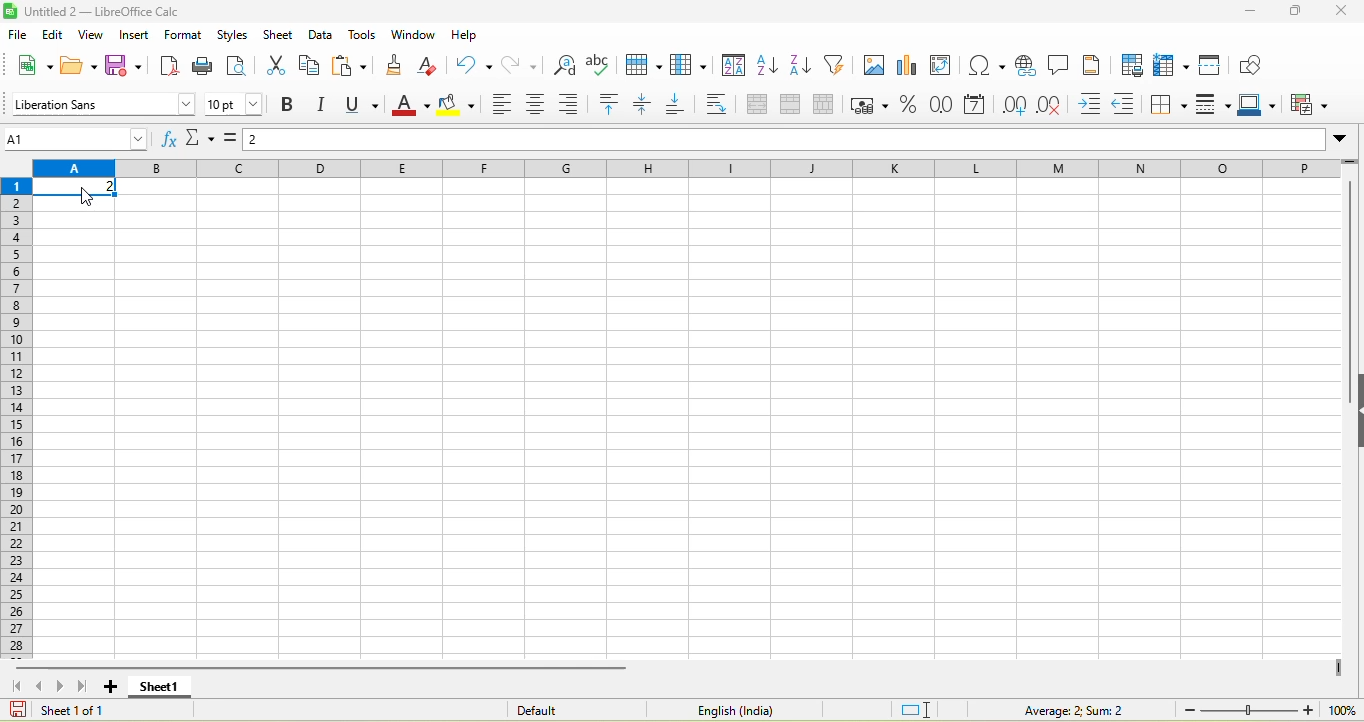 This screenshot has height=722, width=1364. What do you see at coordinates (1211, 105) in the screenshot?
I see `border style` at bounding box center [1211, 105].